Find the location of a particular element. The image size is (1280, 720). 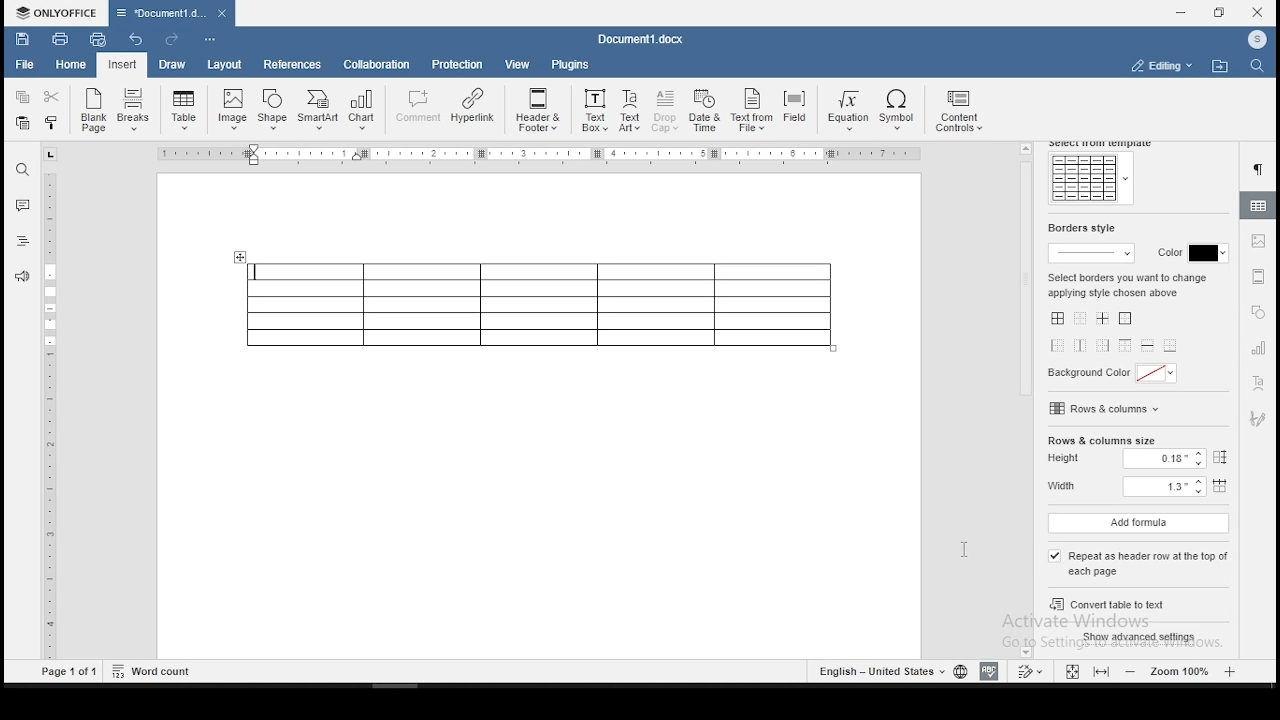

table style templates is located at coordinates (1090, 179).